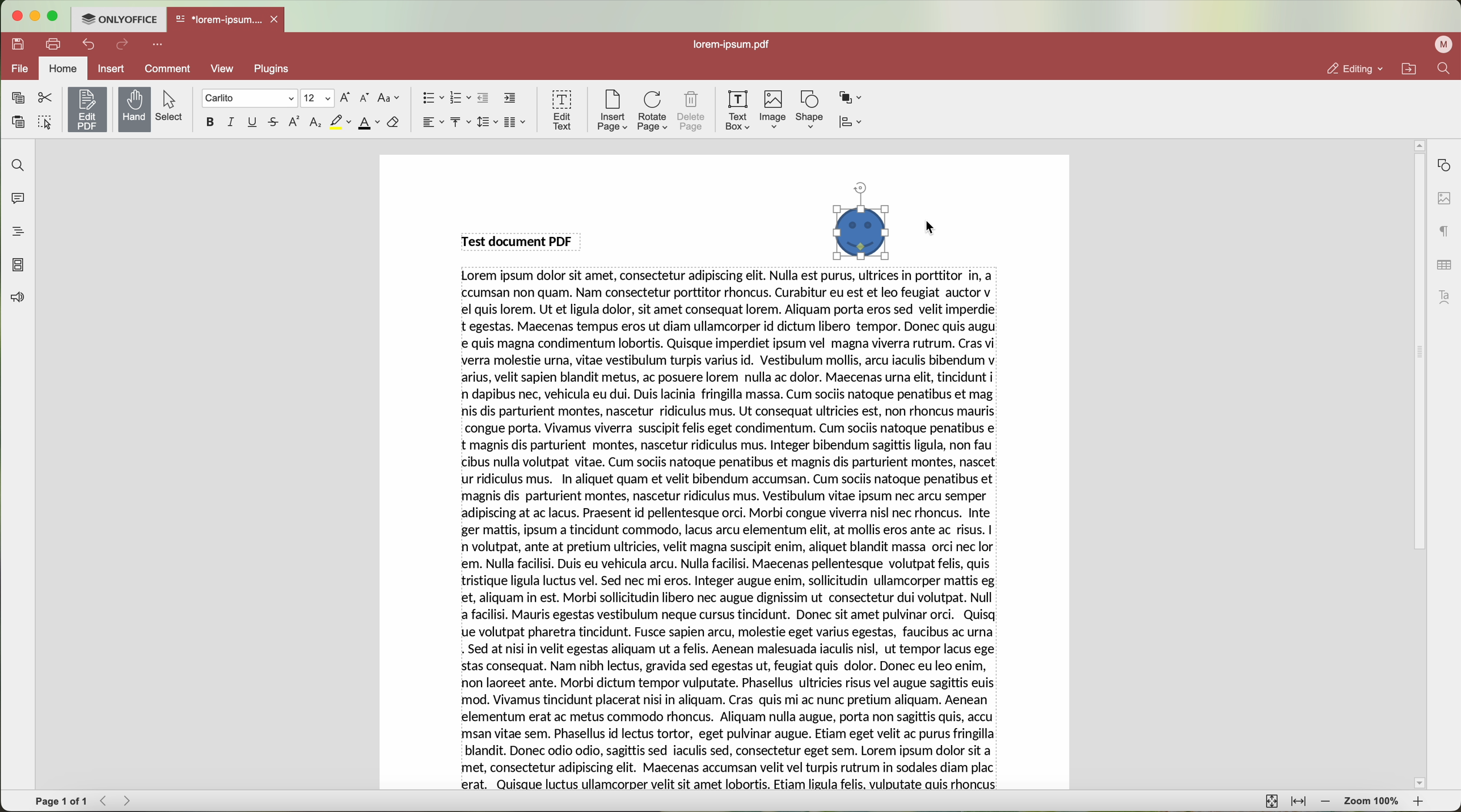  Describe the element at coordinates (1409, 69) in the screenshot. I see `open file location` at that location.